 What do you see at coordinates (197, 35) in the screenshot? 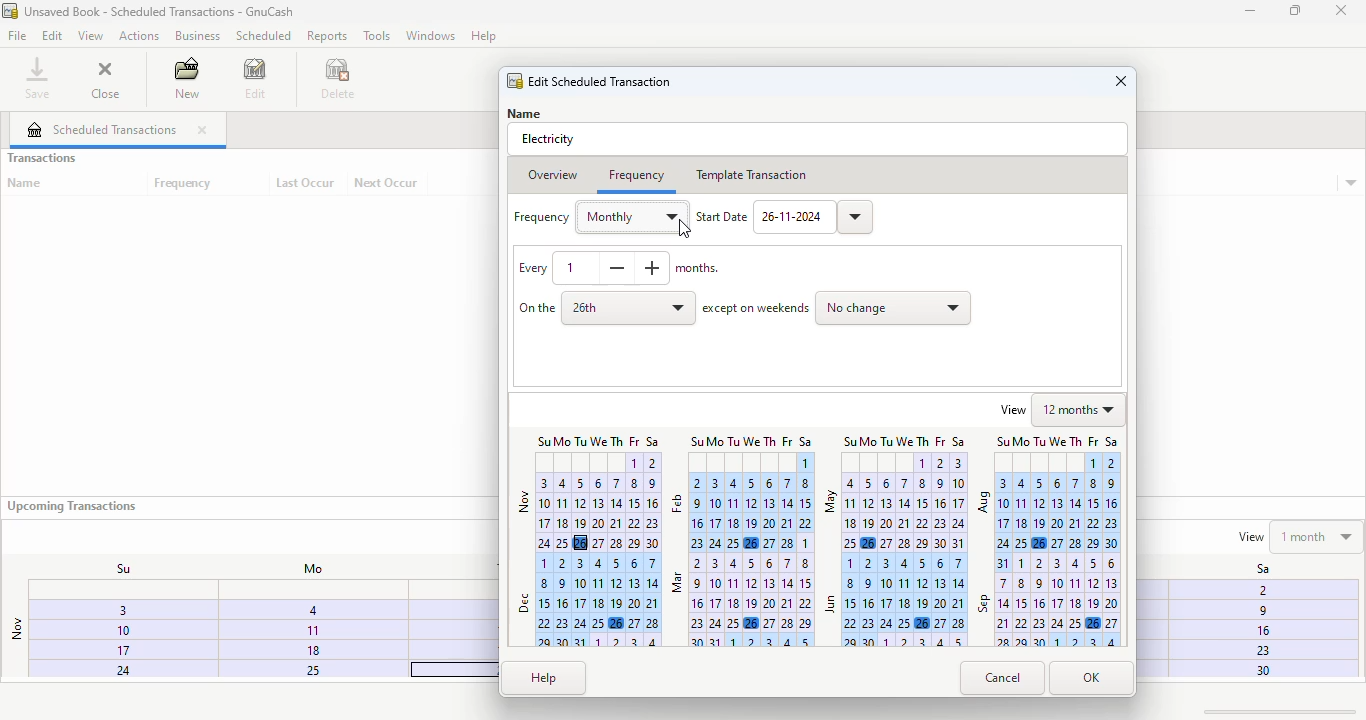
I see `business` at bounding box center [197, 35].